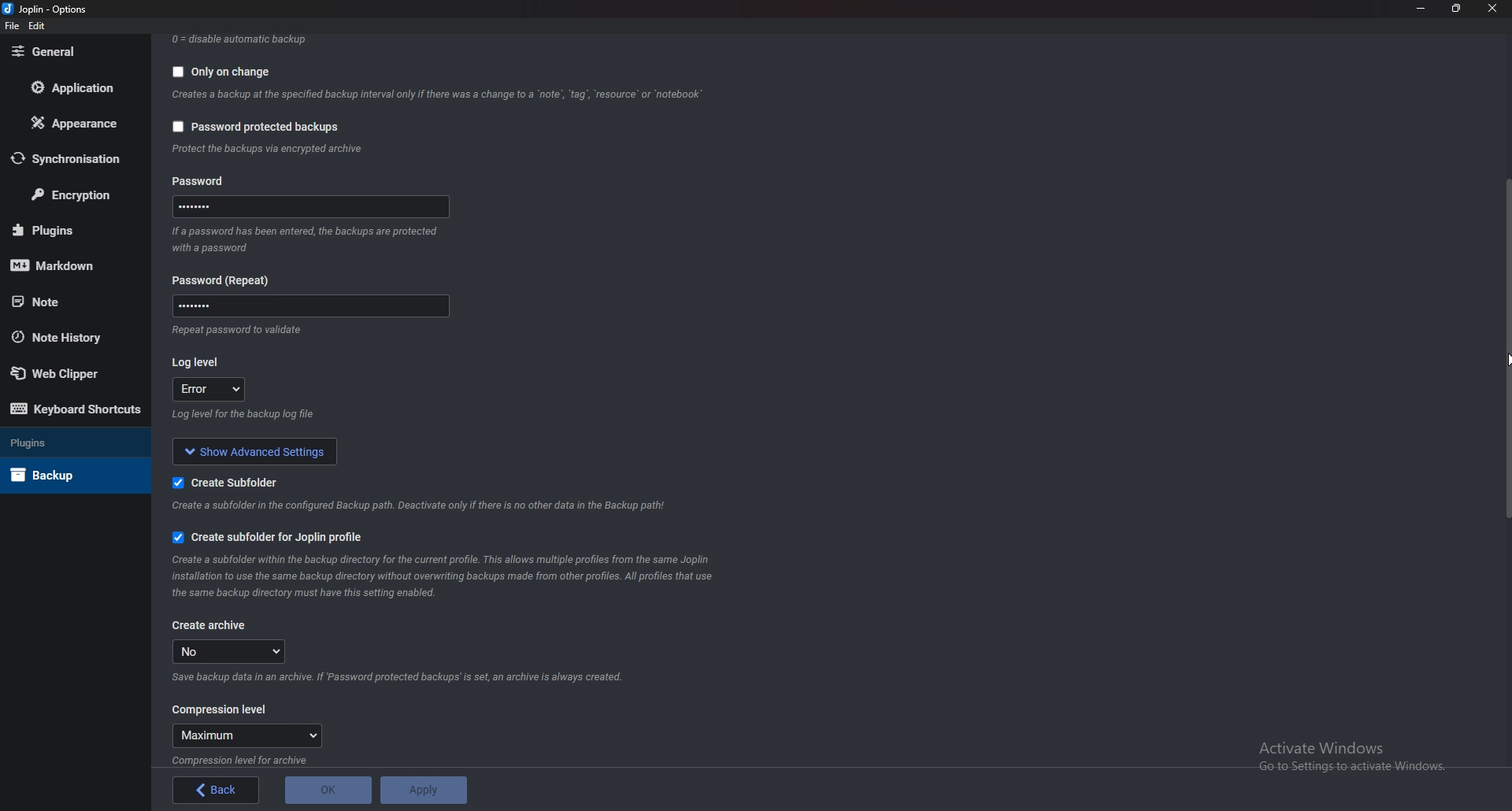  I want to click on Plugins, so click(63, 441).